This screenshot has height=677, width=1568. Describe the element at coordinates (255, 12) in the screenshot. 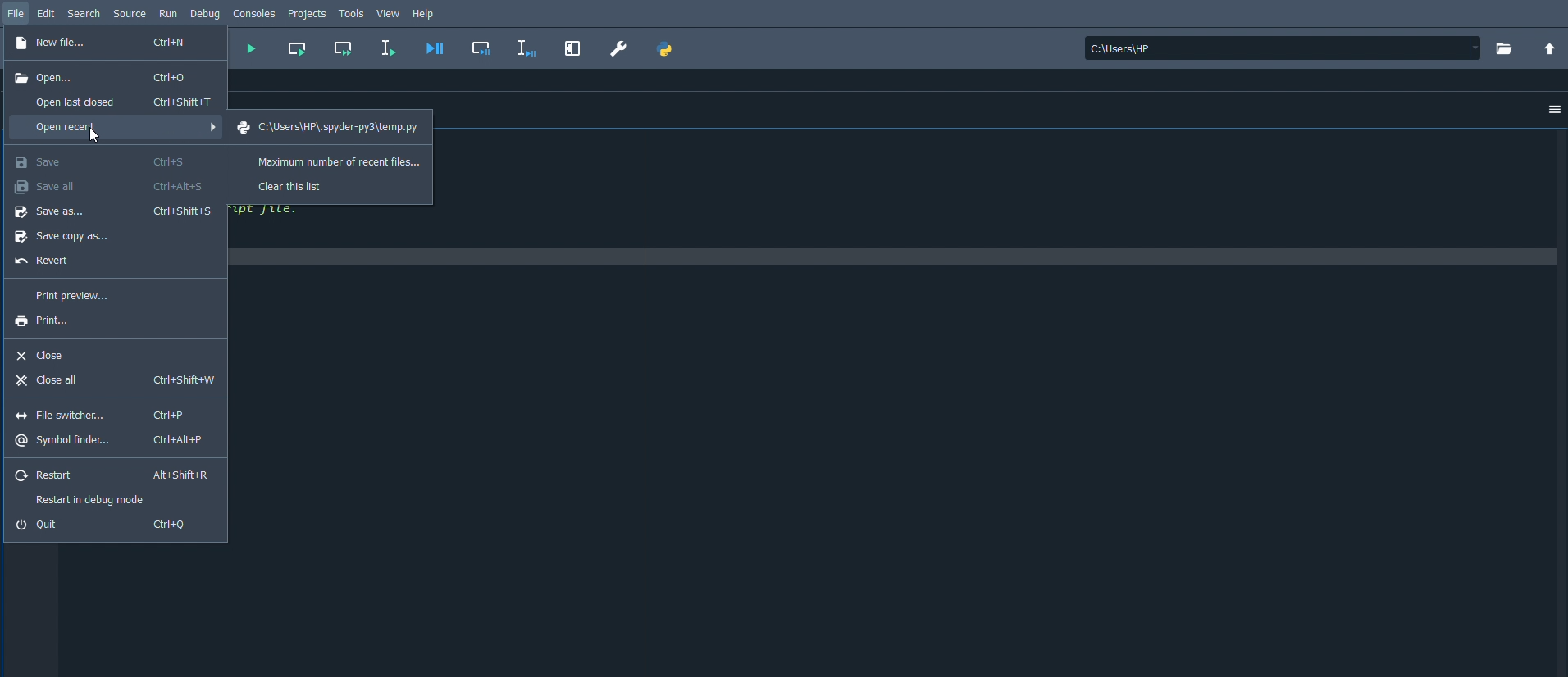

I see `Consoles` at that location.